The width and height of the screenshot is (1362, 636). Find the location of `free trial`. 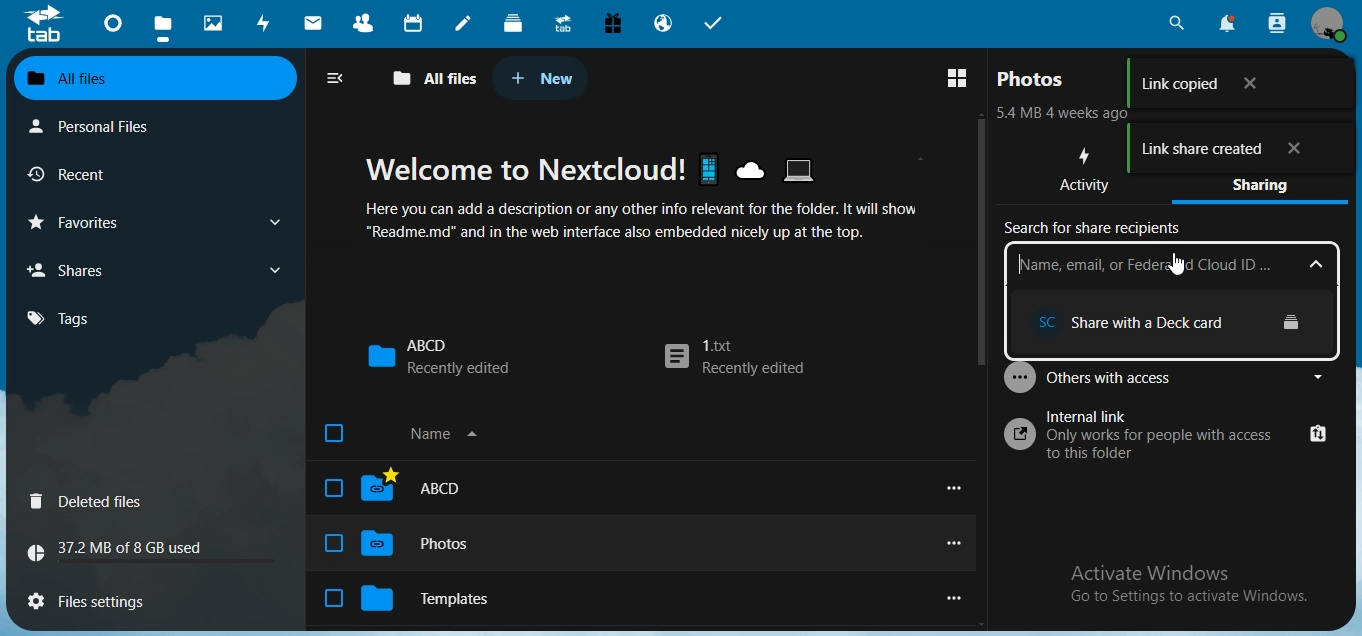

free trial is located at coordinates (613, 24).